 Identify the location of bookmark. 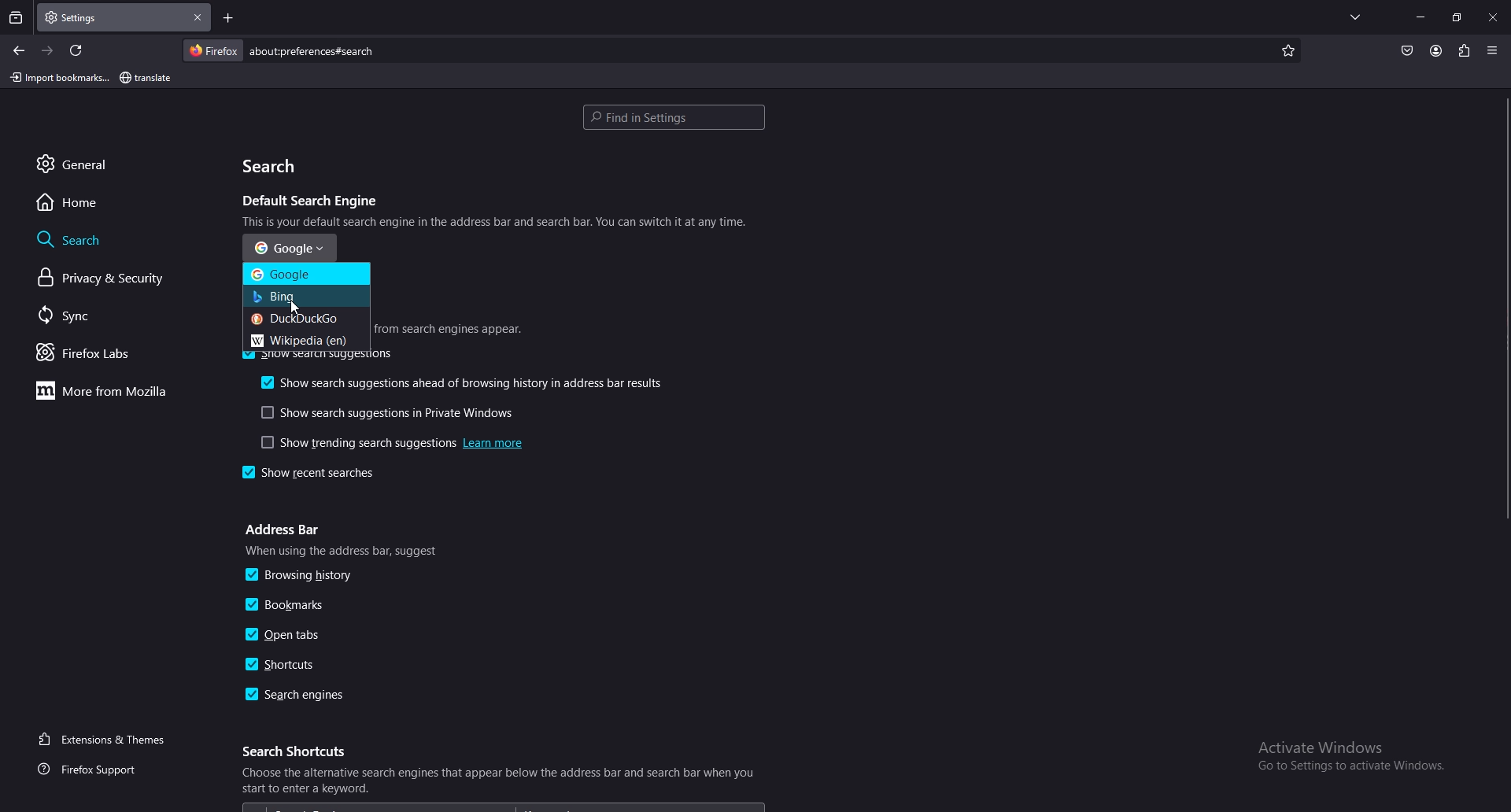
(147, 79).